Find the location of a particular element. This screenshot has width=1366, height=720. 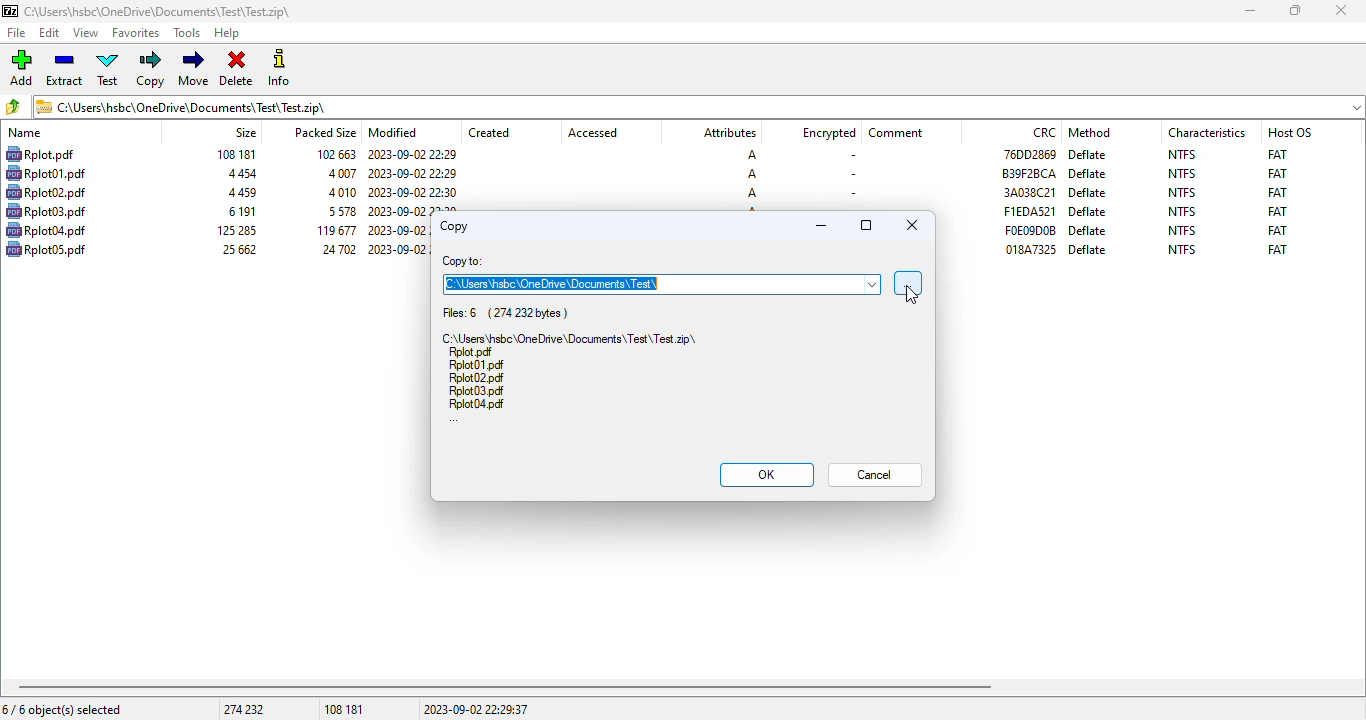

file is located at coordinates (476, 366).